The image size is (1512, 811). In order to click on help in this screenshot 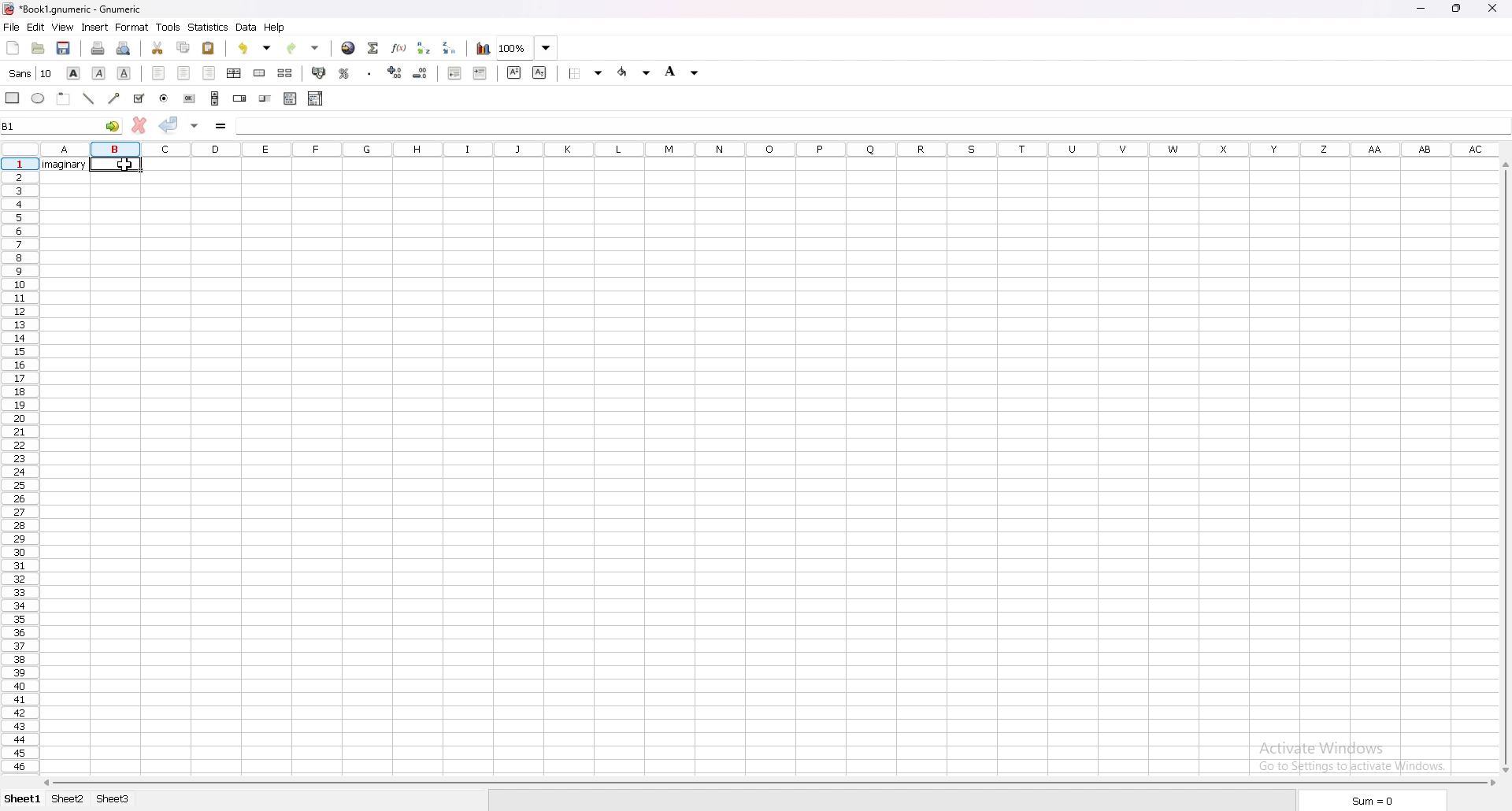, I will do `click(275, 28)`.